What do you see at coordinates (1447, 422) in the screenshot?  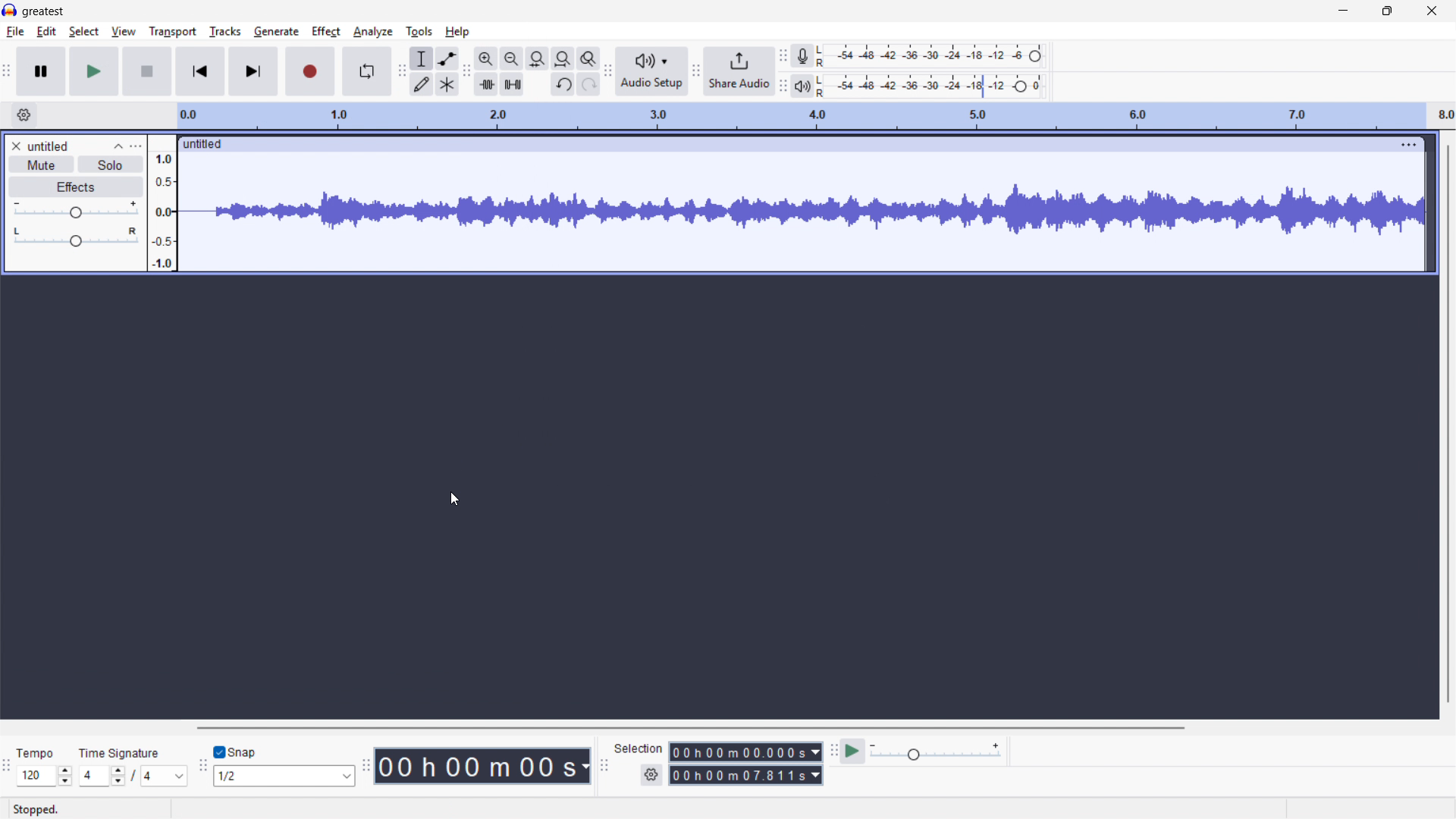 I see `vertical scrollbar` at bounding box center [1447, 422].